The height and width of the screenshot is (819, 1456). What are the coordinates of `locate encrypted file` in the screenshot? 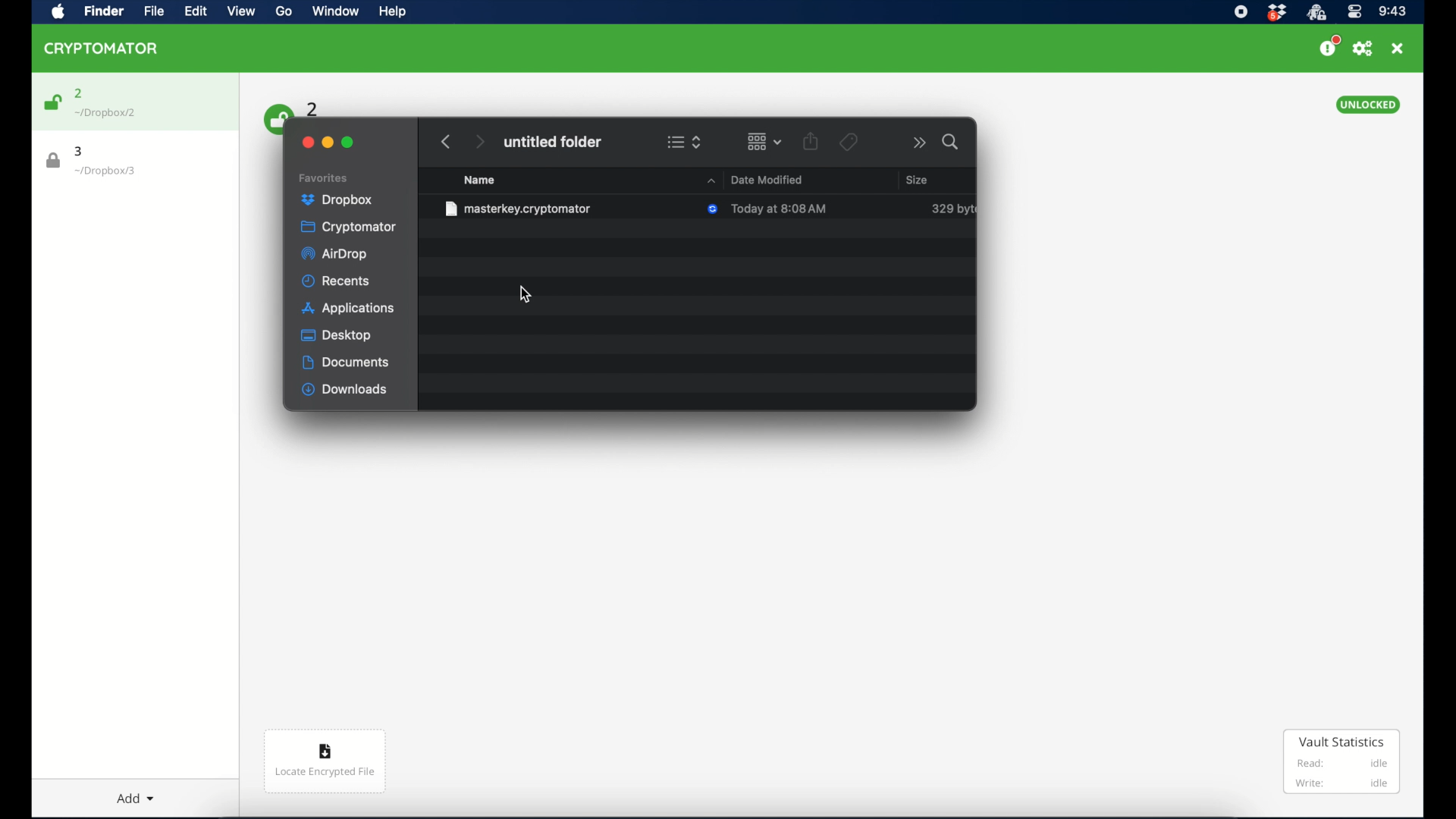 It's located at (325, 761).